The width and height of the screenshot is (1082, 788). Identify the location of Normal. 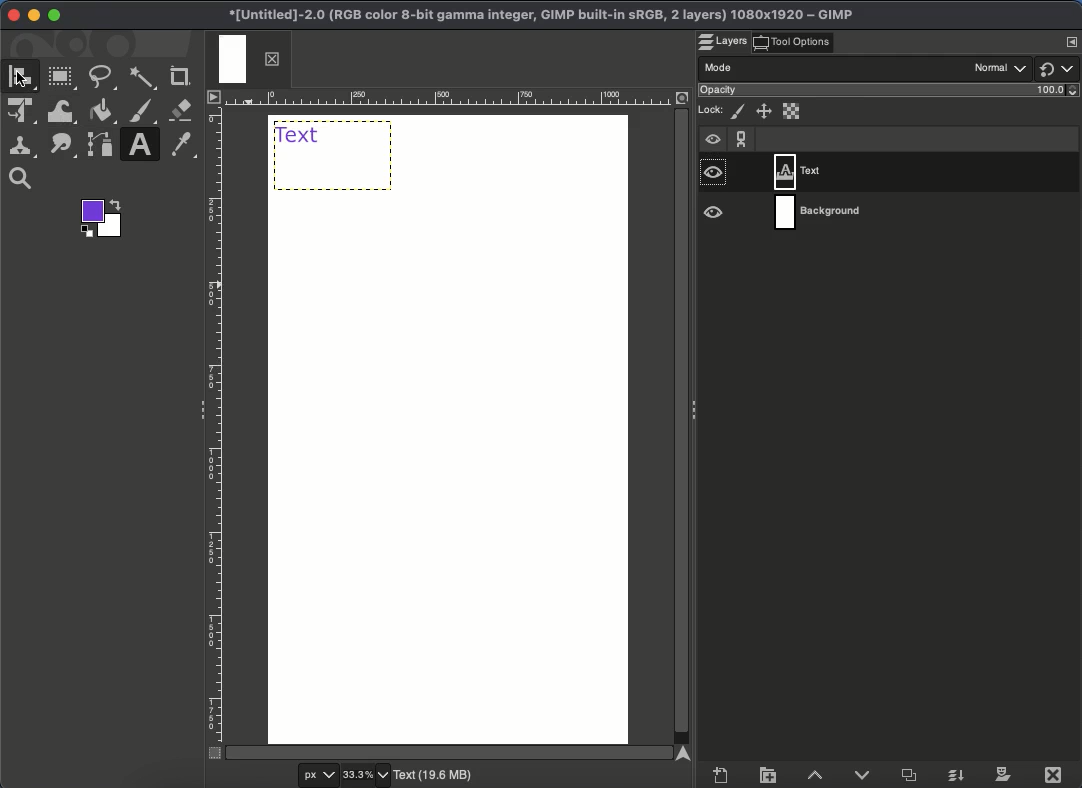
(1001, 67).